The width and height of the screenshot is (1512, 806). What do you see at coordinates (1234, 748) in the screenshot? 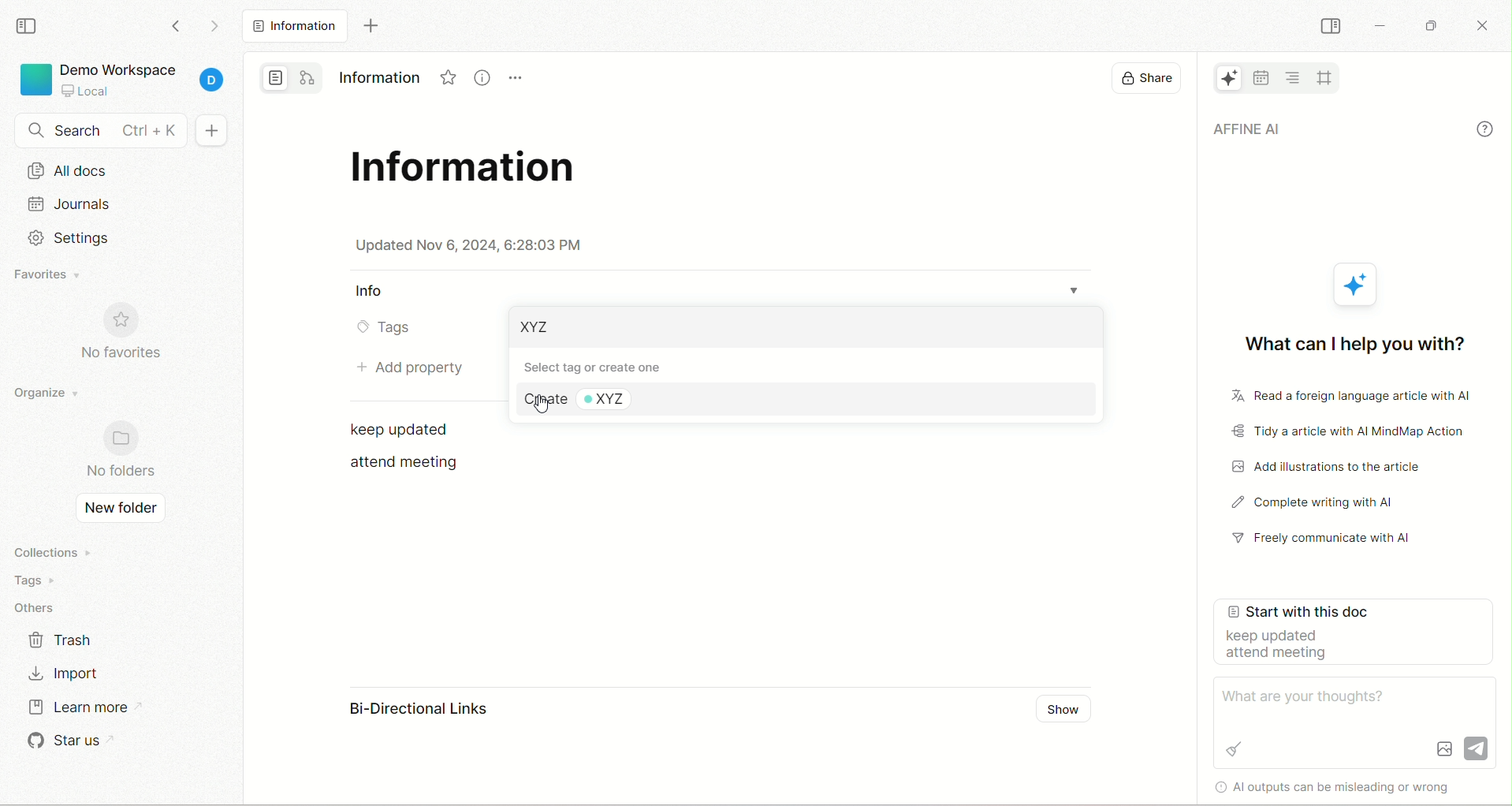
I see `Brush` at bounding box center [1234, 748].